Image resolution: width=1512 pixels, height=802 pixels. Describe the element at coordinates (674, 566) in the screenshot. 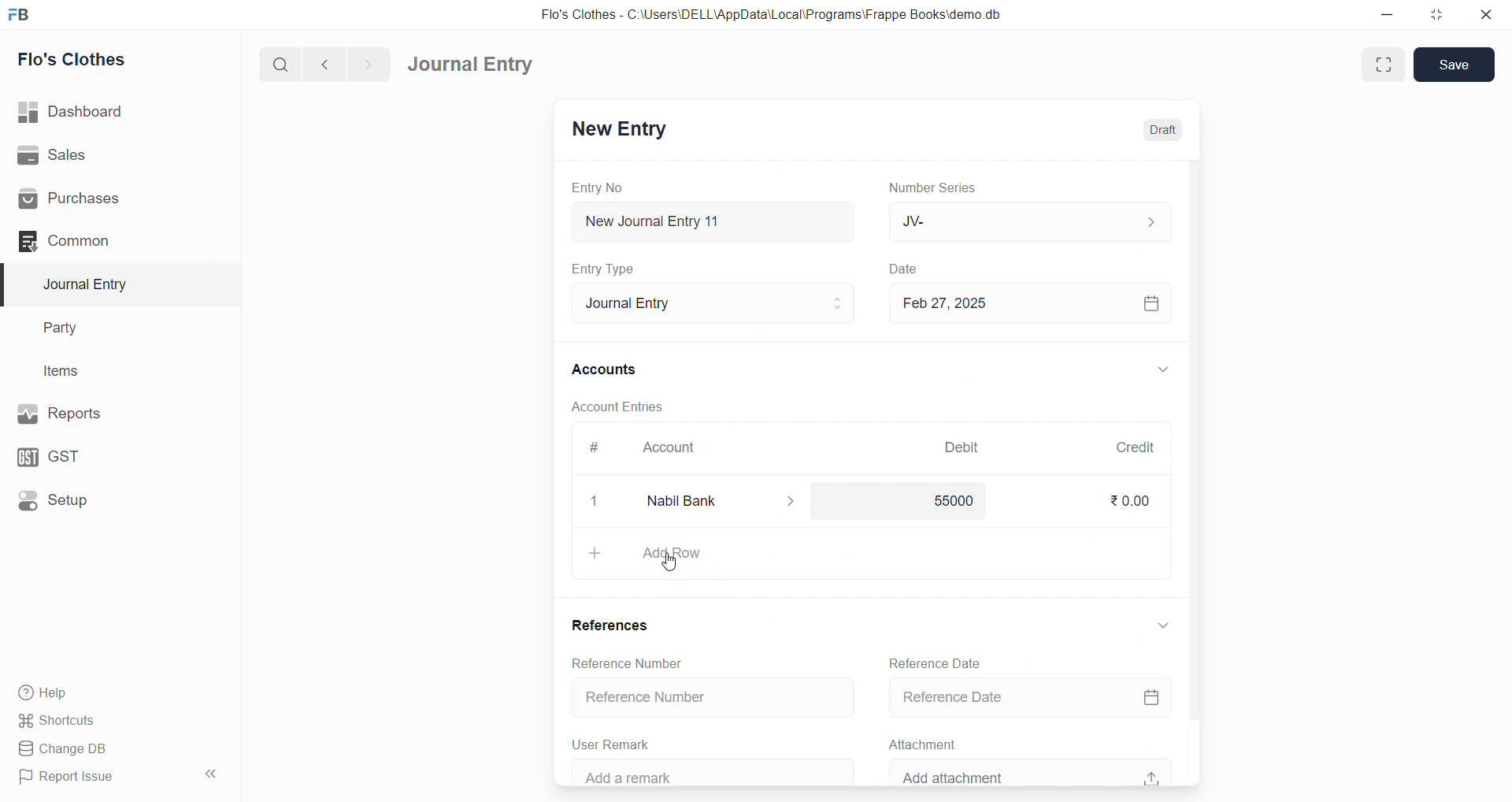

I see `cursor` at that location.